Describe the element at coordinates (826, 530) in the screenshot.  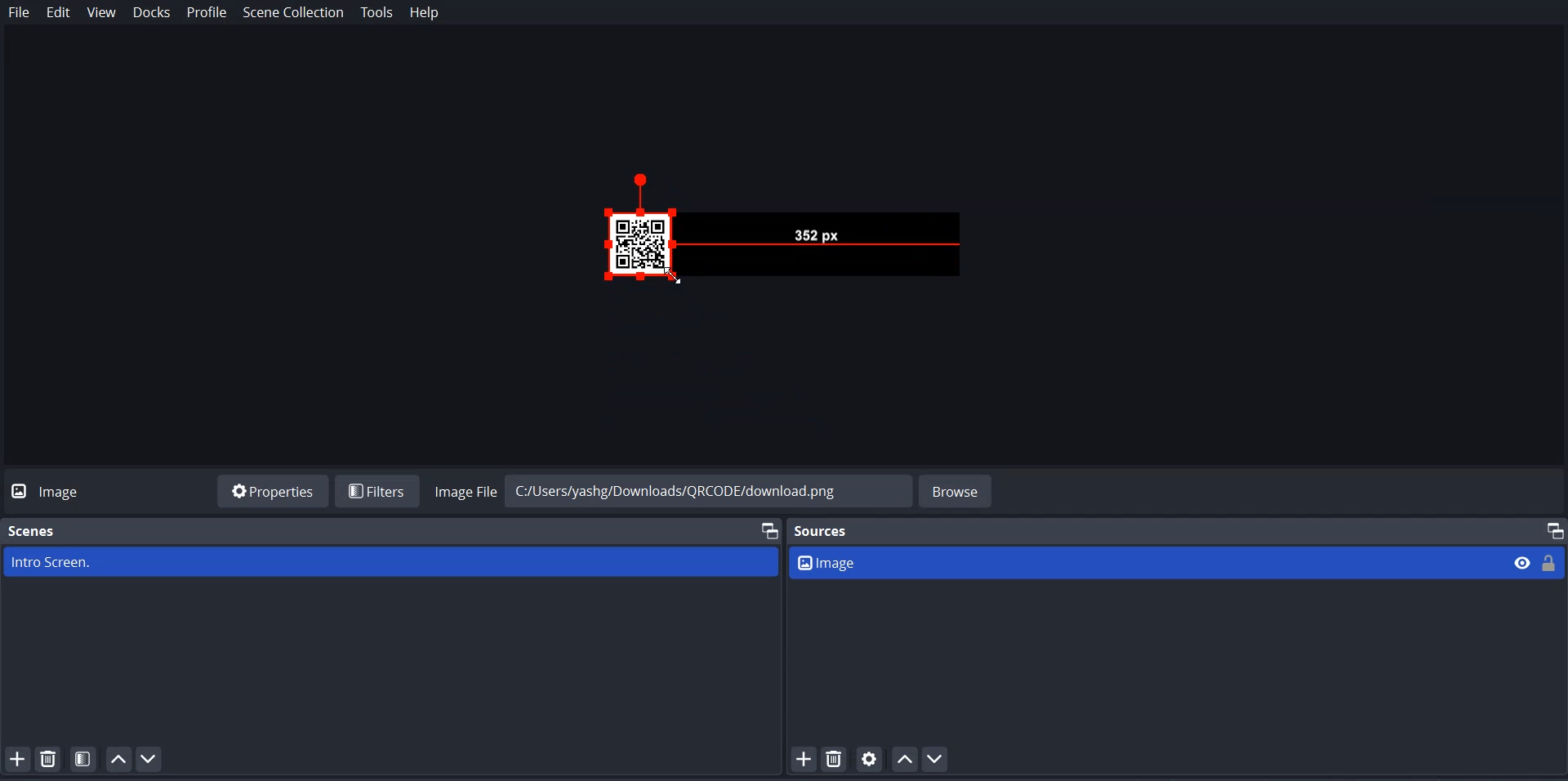
I see `Sources` at that location.